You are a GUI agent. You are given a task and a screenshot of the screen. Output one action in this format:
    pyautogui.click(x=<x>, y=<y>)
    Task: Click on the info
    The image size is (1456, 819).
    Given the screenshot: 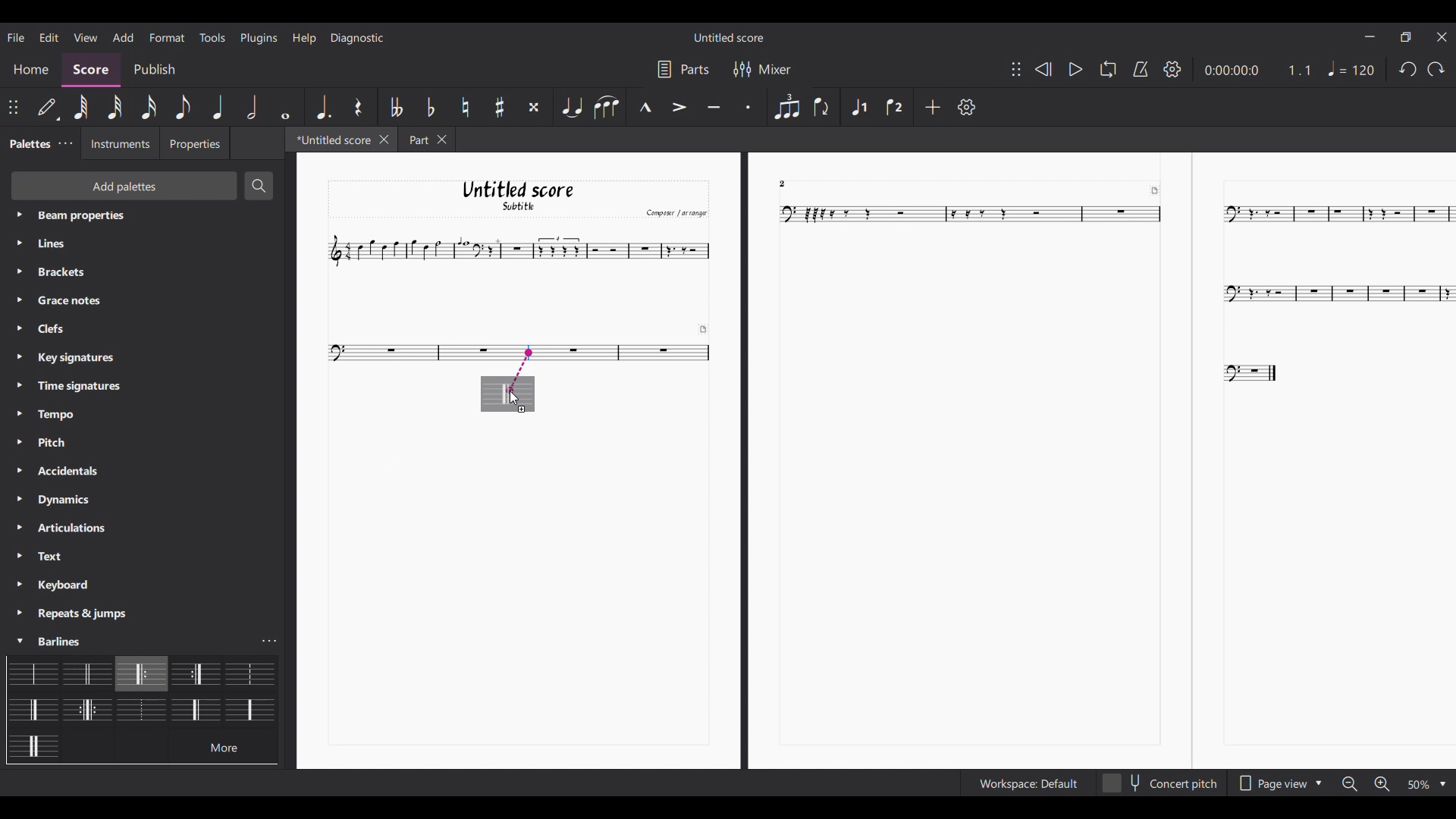 What is the action you would take?
    pyautogui.click(x=143, y=716)
    